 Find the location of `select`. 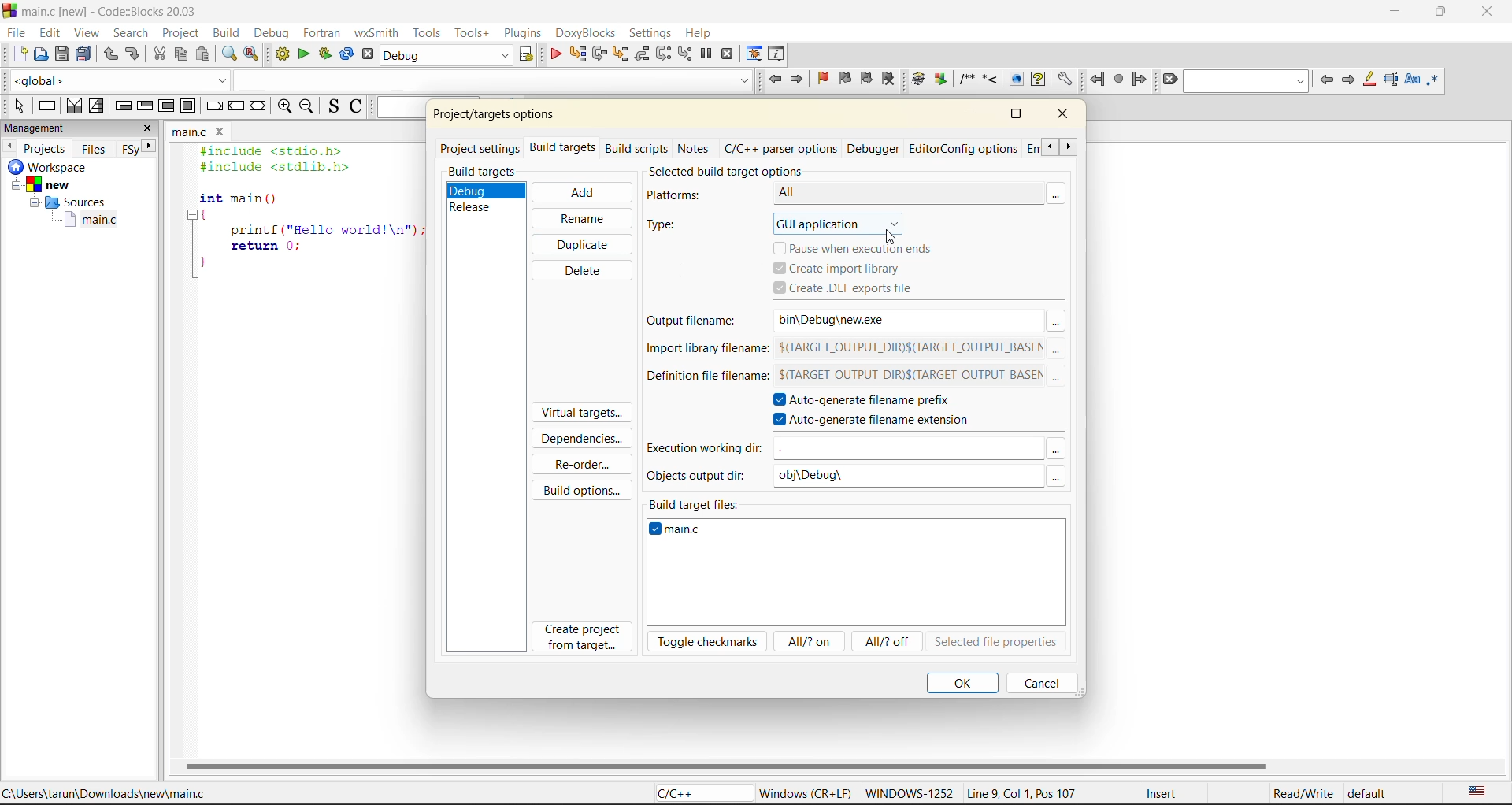

select is located at coordinates (15, 103).